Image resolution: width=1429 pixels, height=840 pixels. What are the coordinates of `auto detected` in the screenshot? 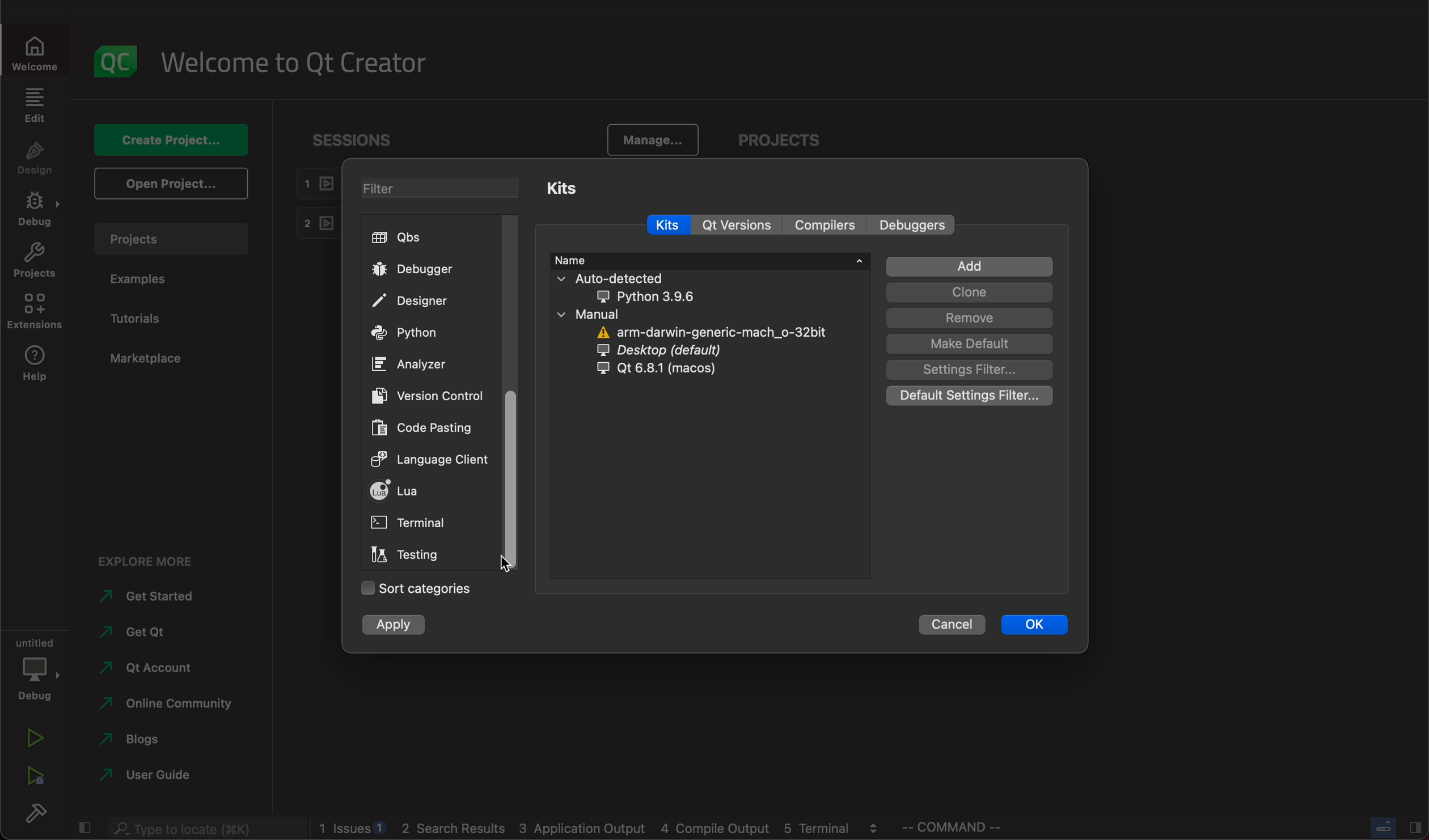 It's located at (650, 287).